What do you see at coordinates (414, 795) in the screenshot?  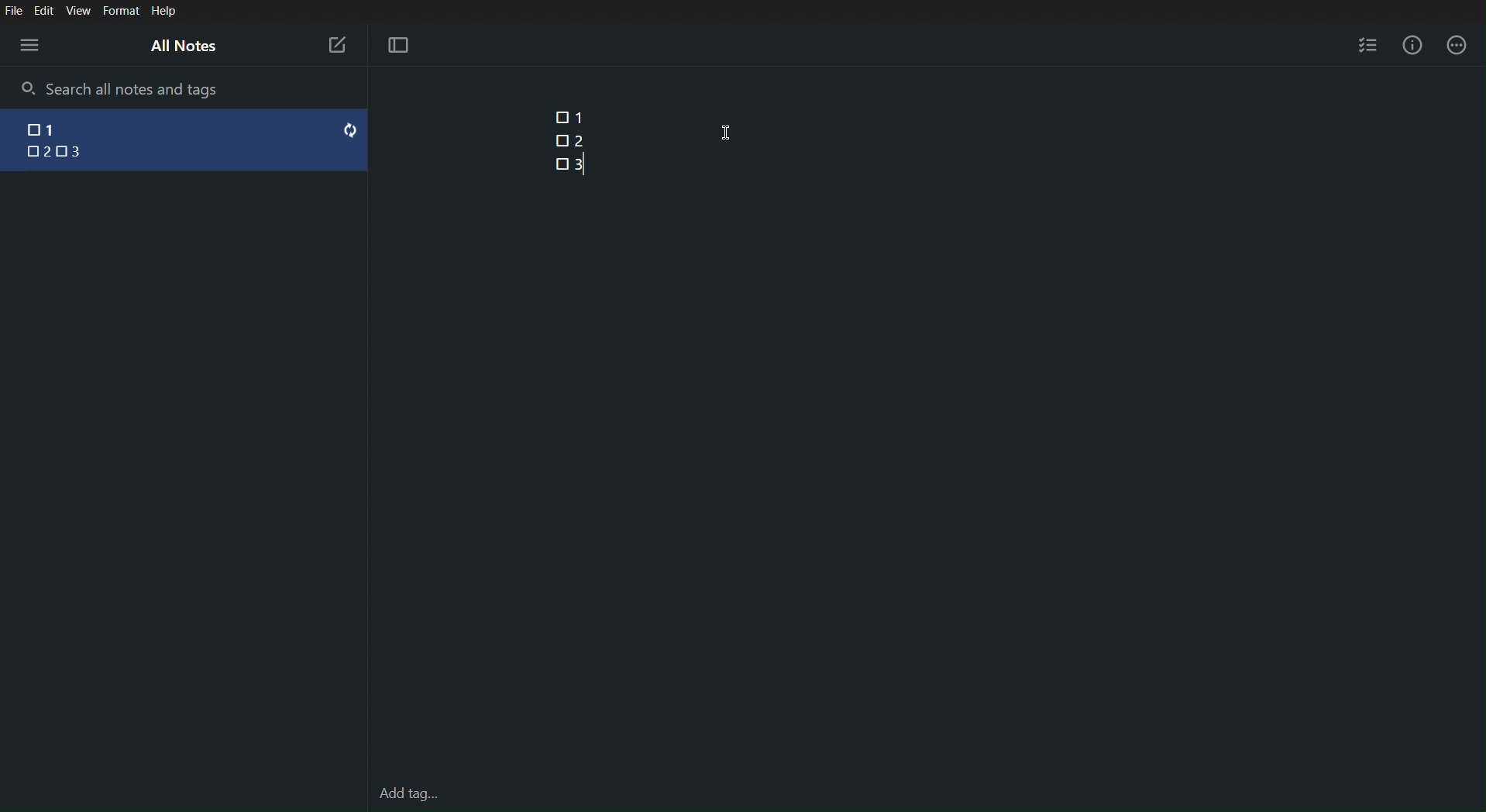 I see `Add tag` at bounding box center [414, 795].